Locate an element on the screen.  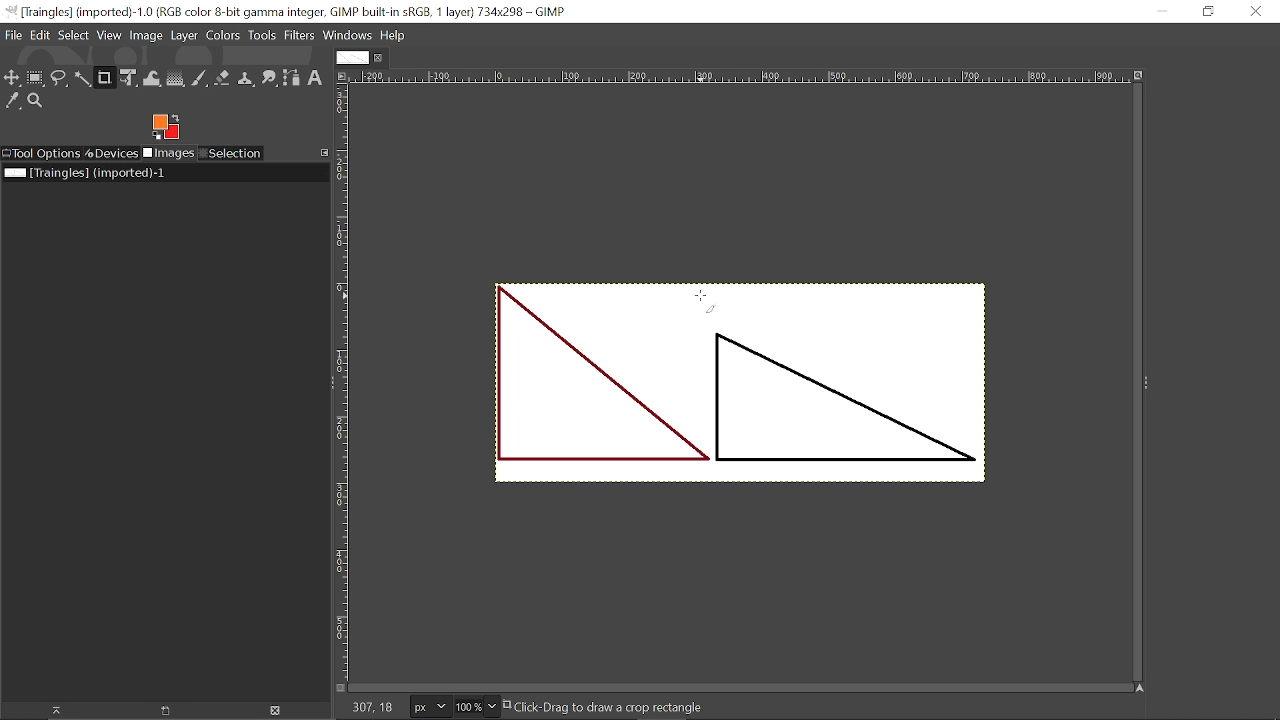
cursor is located at coordinates (705, 301).